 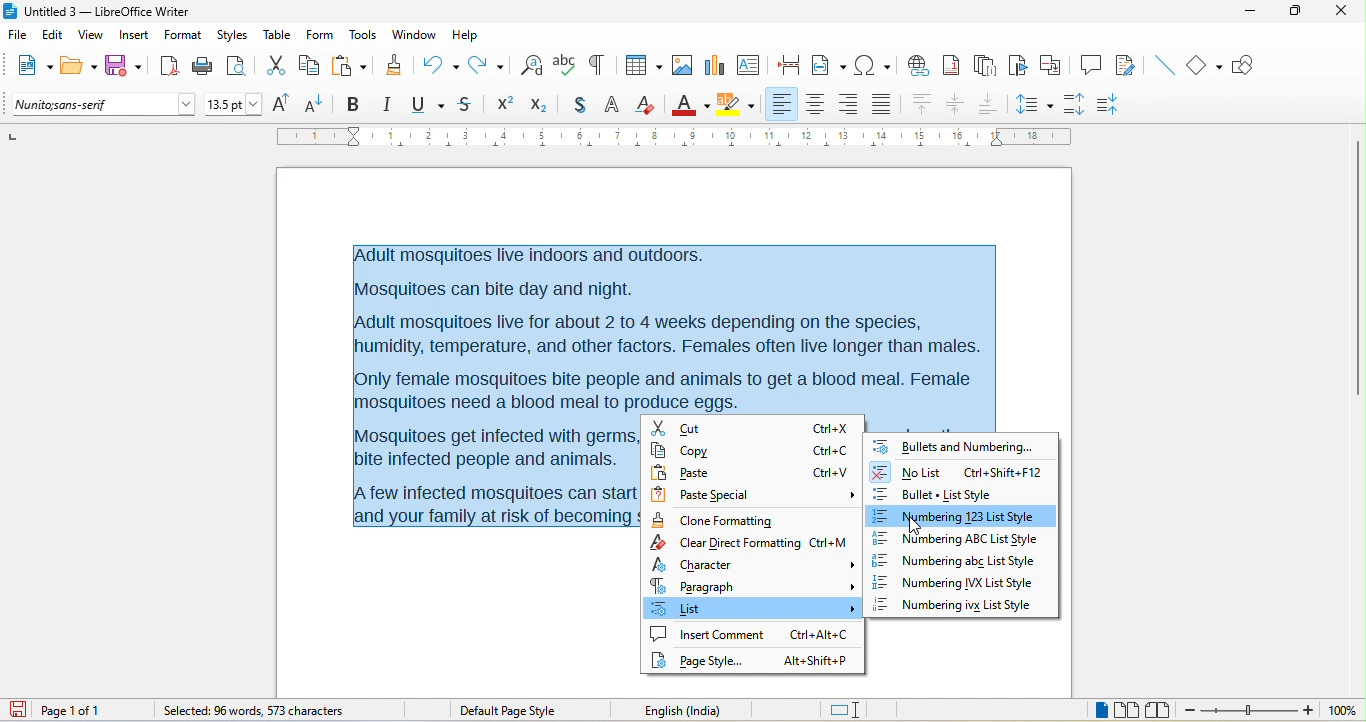 What do you see at coordinates (202, 69) in the screenshot?
I see `print` at bounding box center [202, 69].